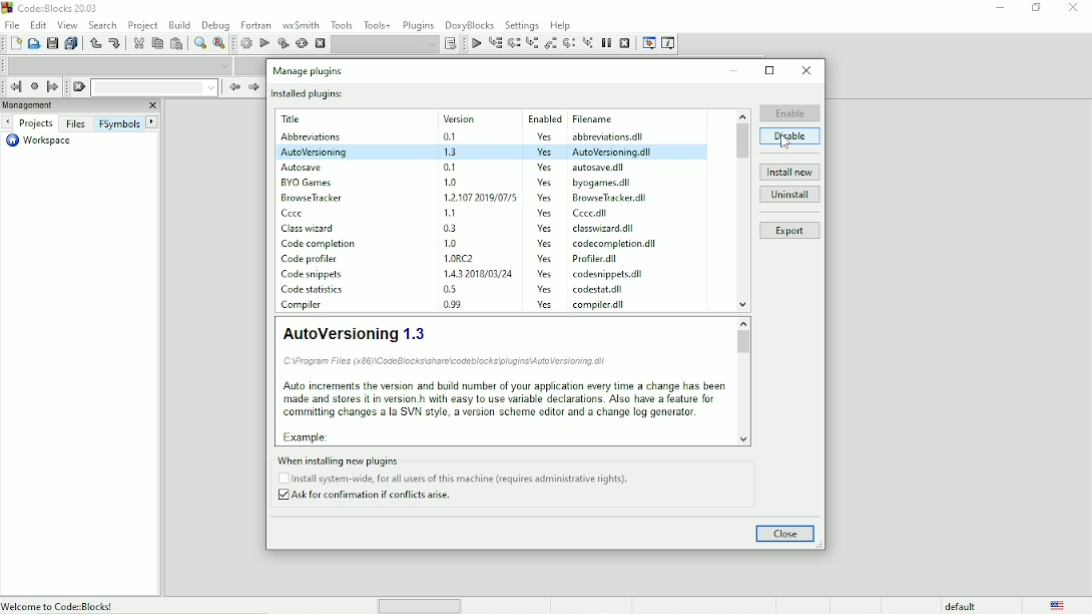 The height and width of the screenshot is (614, 1092). Describe the element at coordinates (452, 212) in the screenshot. I see `1.1` at that location.